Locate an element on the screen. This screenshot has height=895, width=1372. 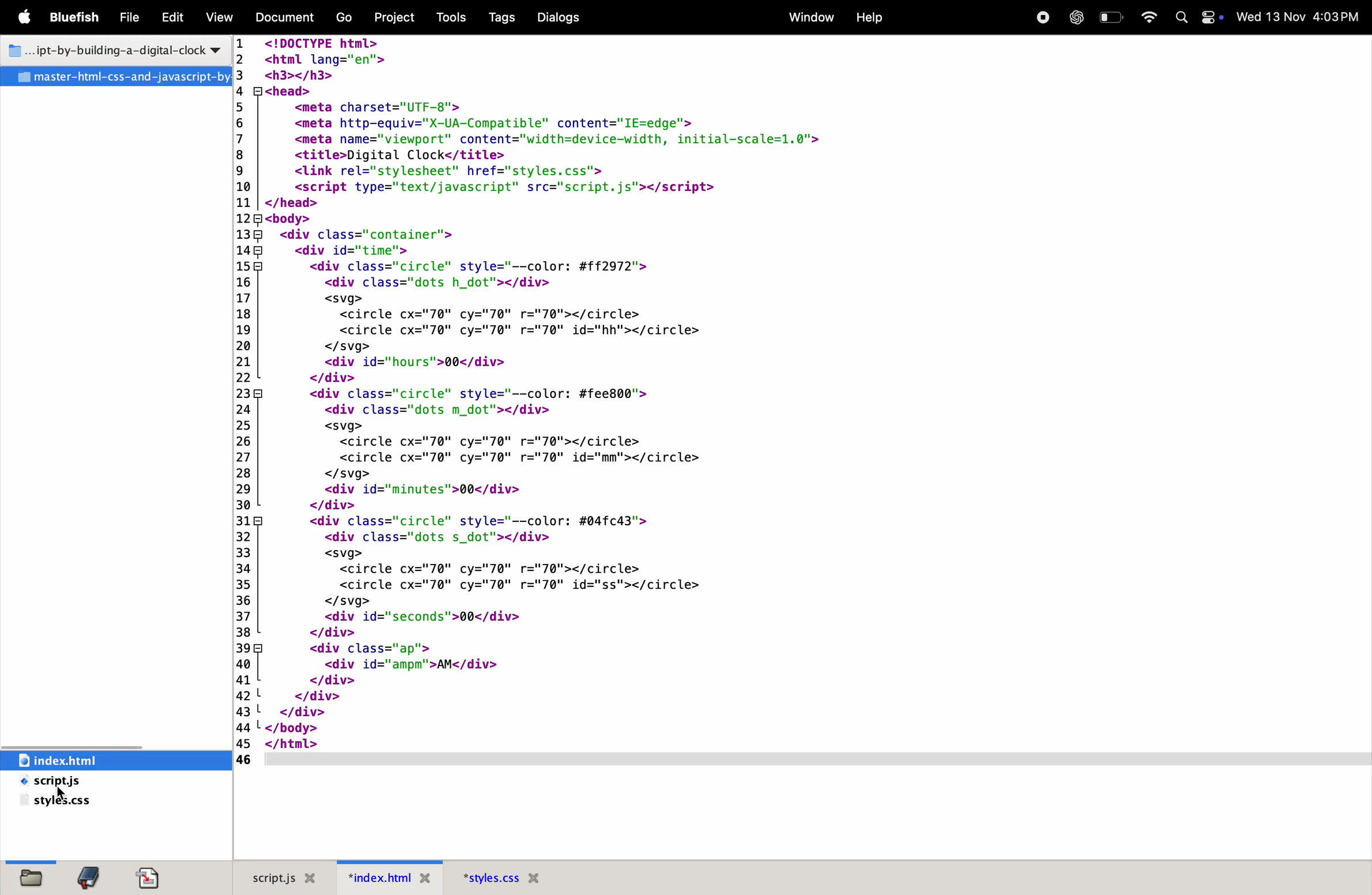
edit is located at coordinates (170, 20).